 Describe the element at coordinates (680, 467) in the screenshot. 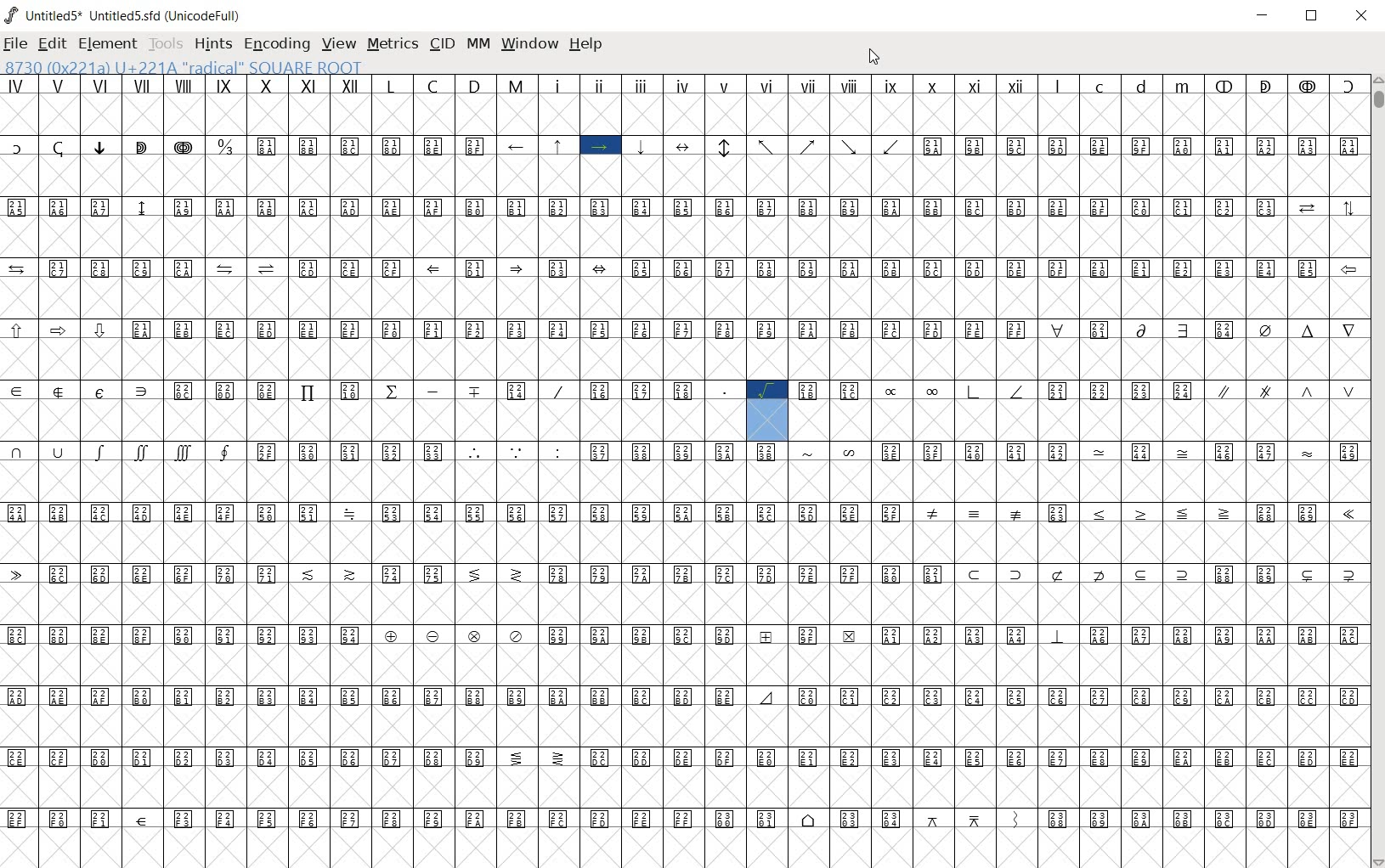

I see `glyph characters` at that location.